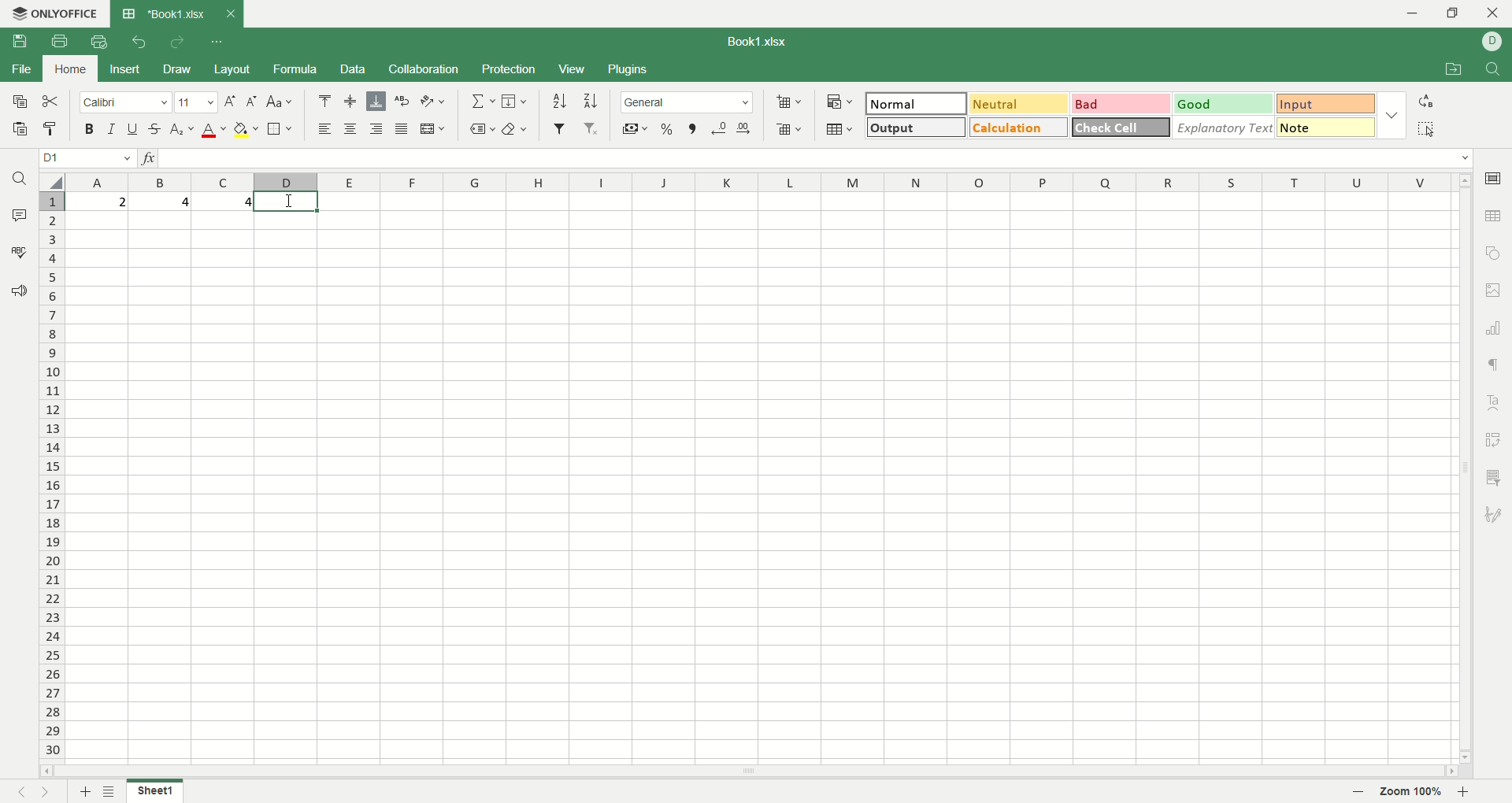 The image size is (1512, 803). Describe the element at coordinates (295, 68) in the screenshot. I see `formula` at that location.